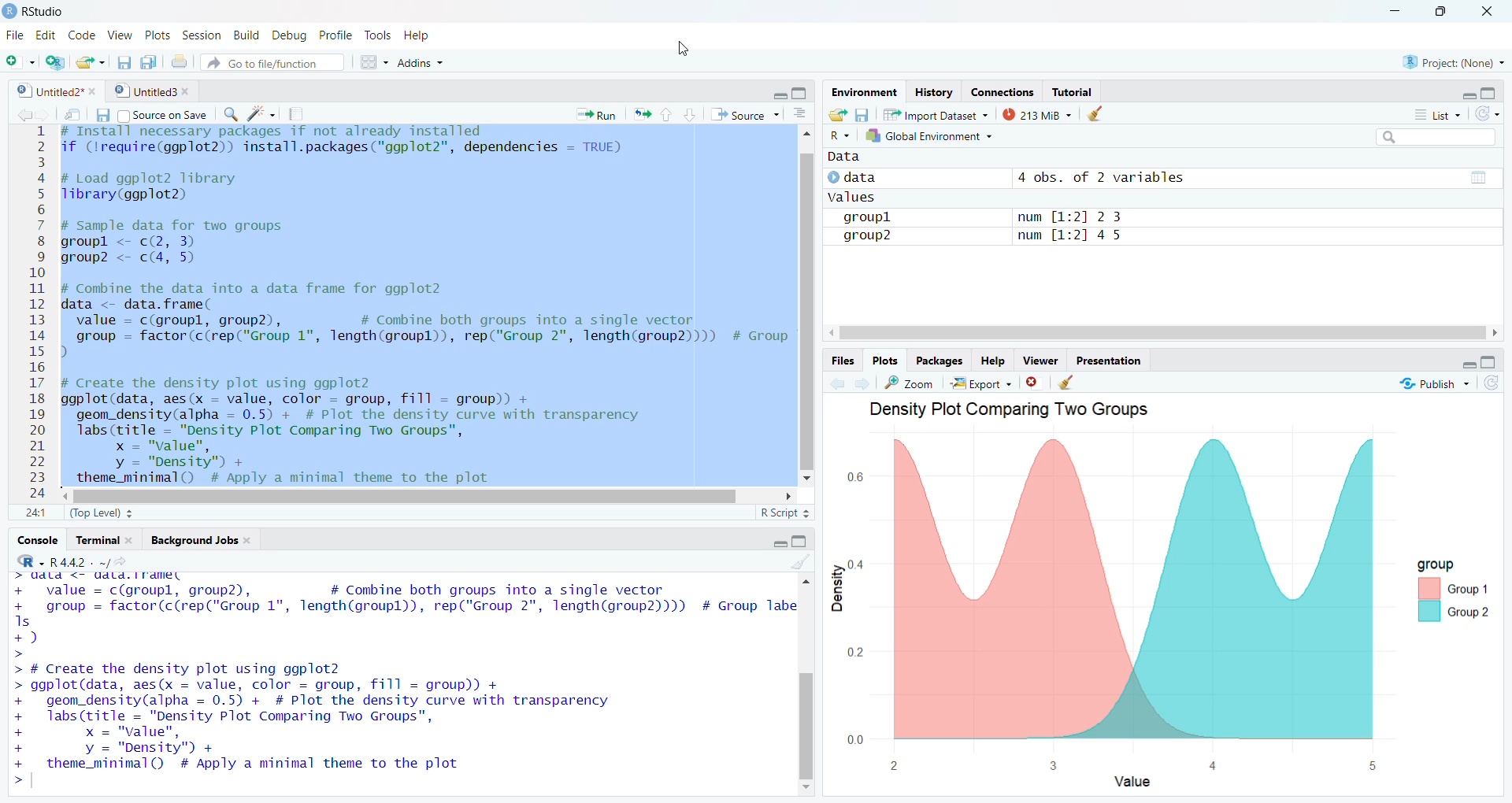  Describe the element at coordinates (1449, 587) in the screenshot. I see `group` at that location.